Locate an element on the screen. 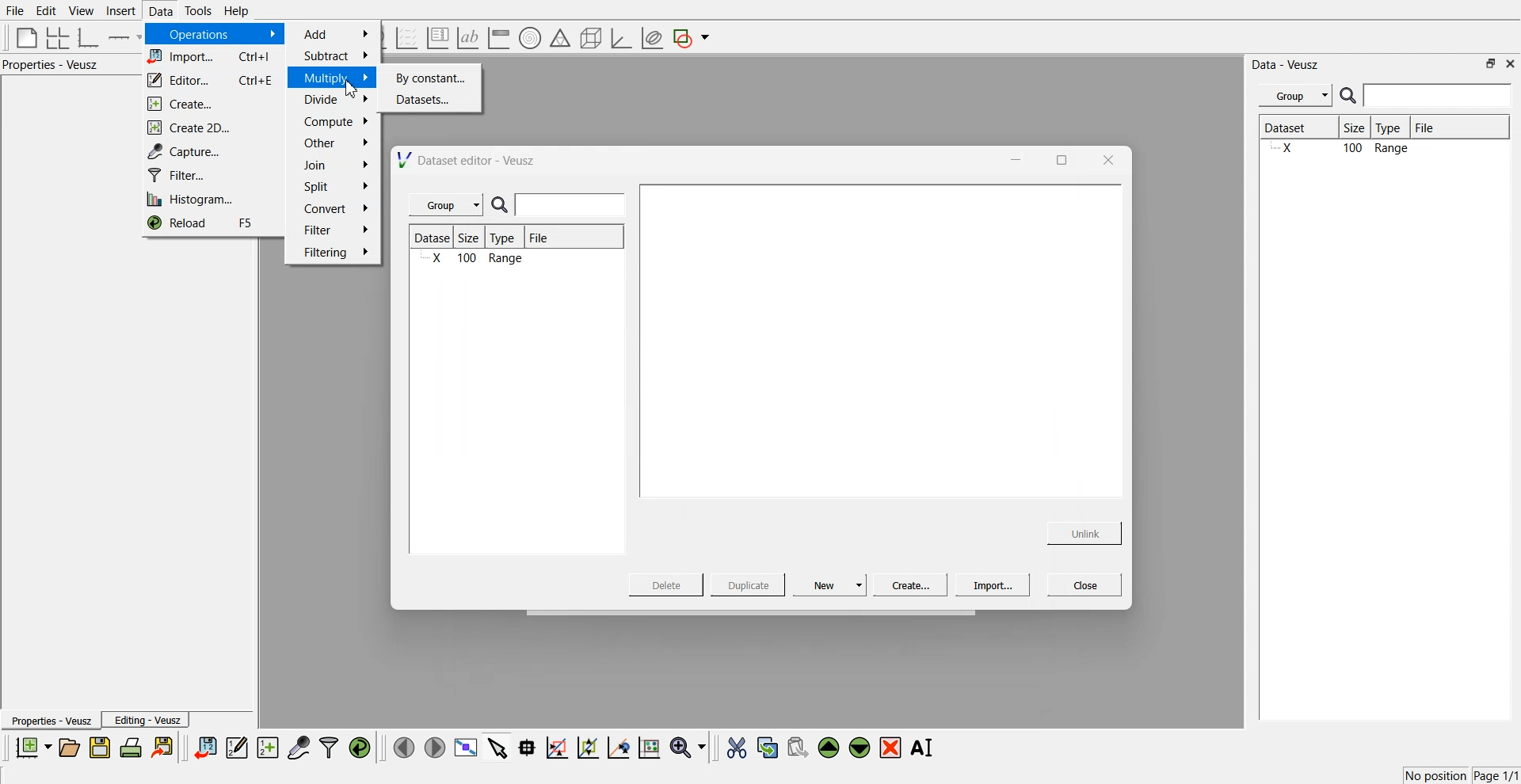 This screenshot has width=1521, height=784. Close is located at coordinates (1085, 584).